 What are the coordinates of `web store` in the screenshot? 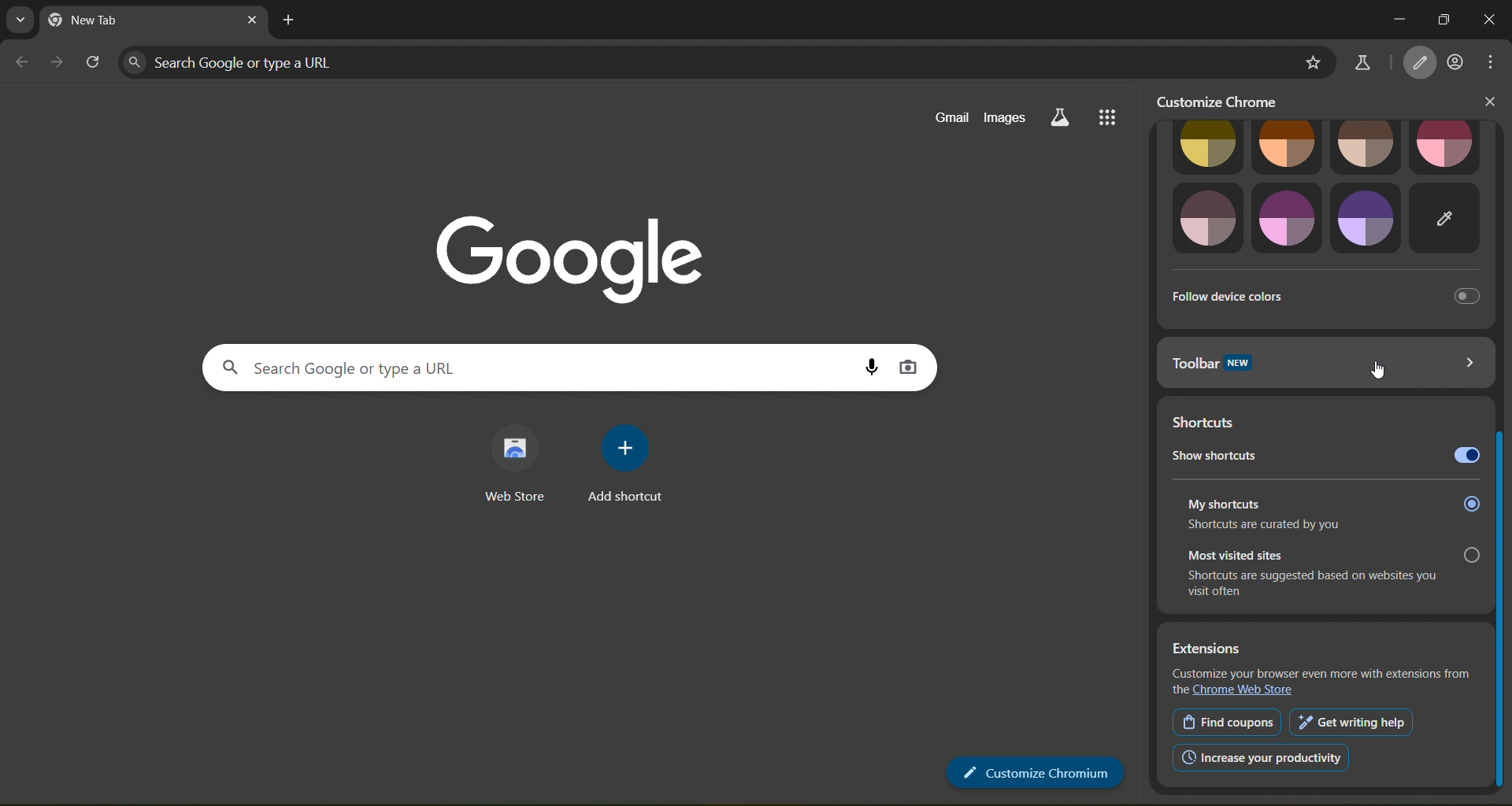 It's located at (516, 462).